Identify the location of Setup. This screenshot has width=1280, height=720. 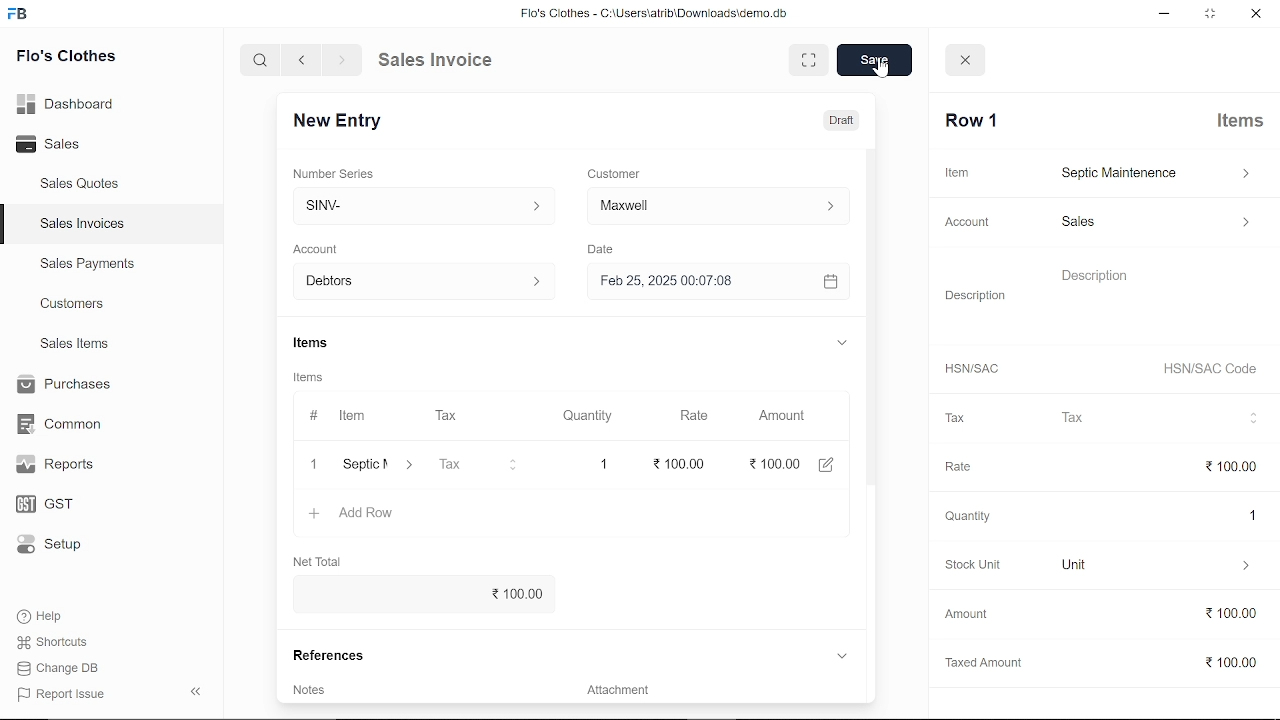
(54, 544).